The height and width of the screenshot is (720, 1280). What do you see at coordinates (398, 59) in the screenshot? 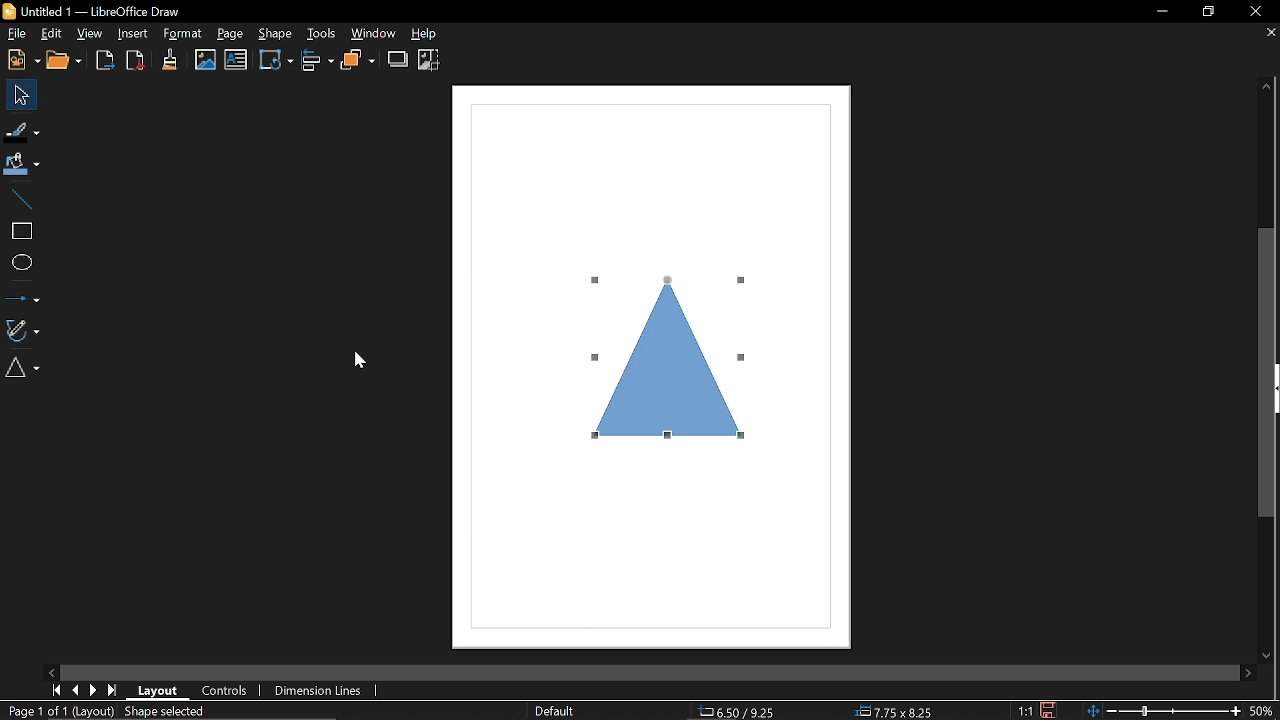
I see `Shadow` at bounding box center [398, 59].